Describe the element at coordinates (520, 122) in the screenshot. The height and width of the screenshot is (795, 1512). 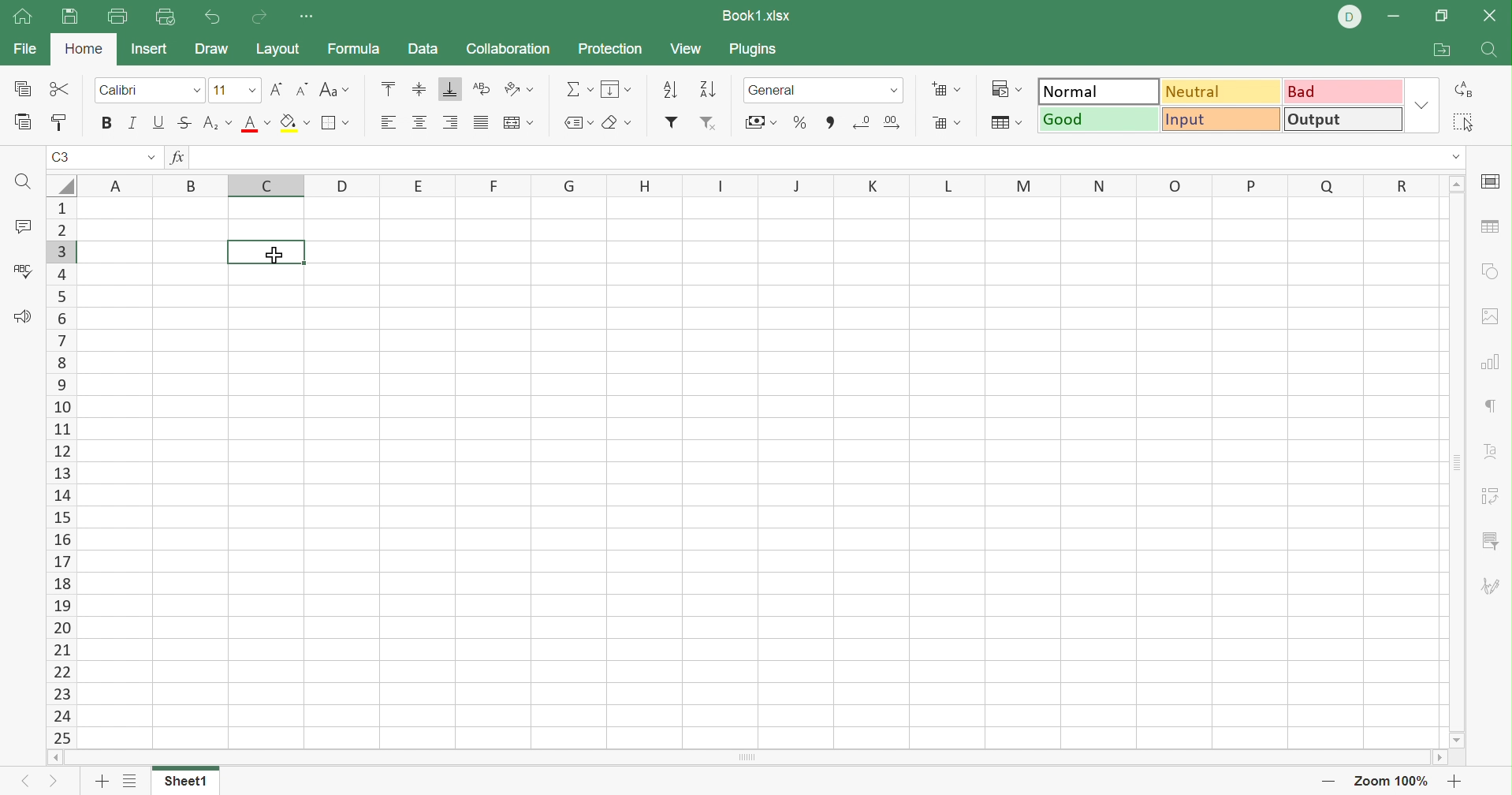
I see `Merge and center` at that location.